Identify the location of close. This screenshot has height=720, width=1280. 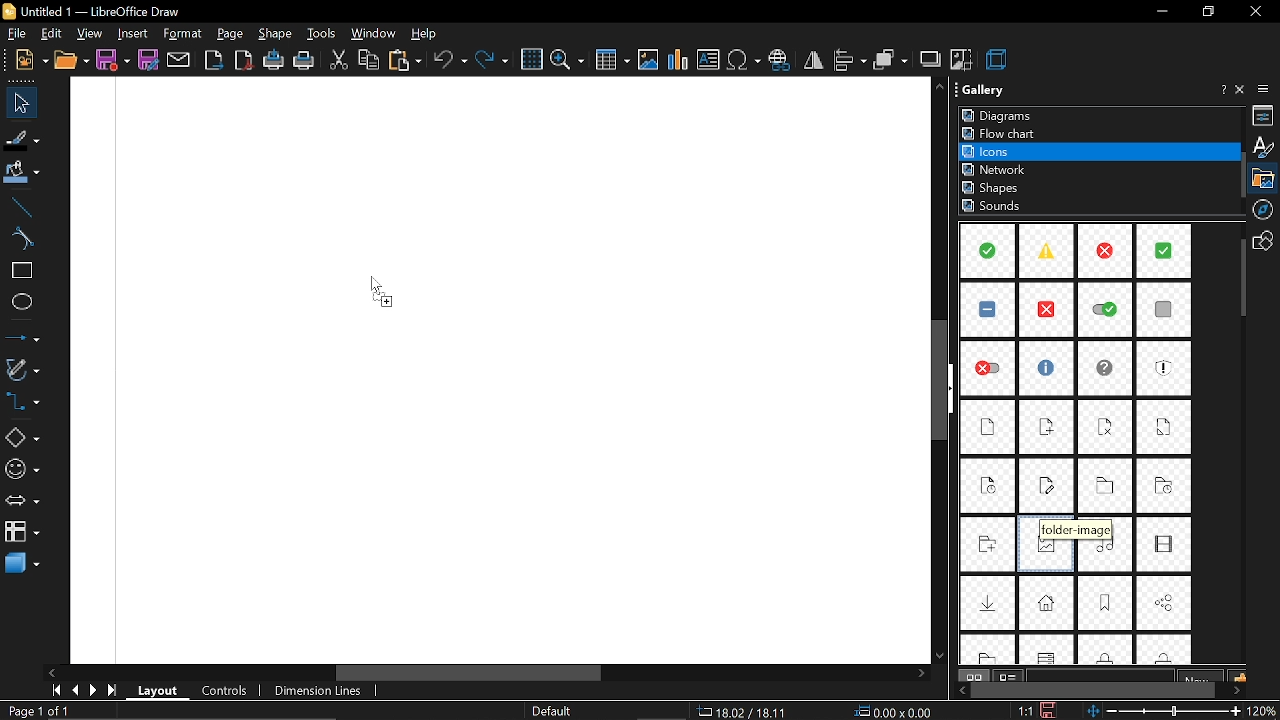
(1242, 90).